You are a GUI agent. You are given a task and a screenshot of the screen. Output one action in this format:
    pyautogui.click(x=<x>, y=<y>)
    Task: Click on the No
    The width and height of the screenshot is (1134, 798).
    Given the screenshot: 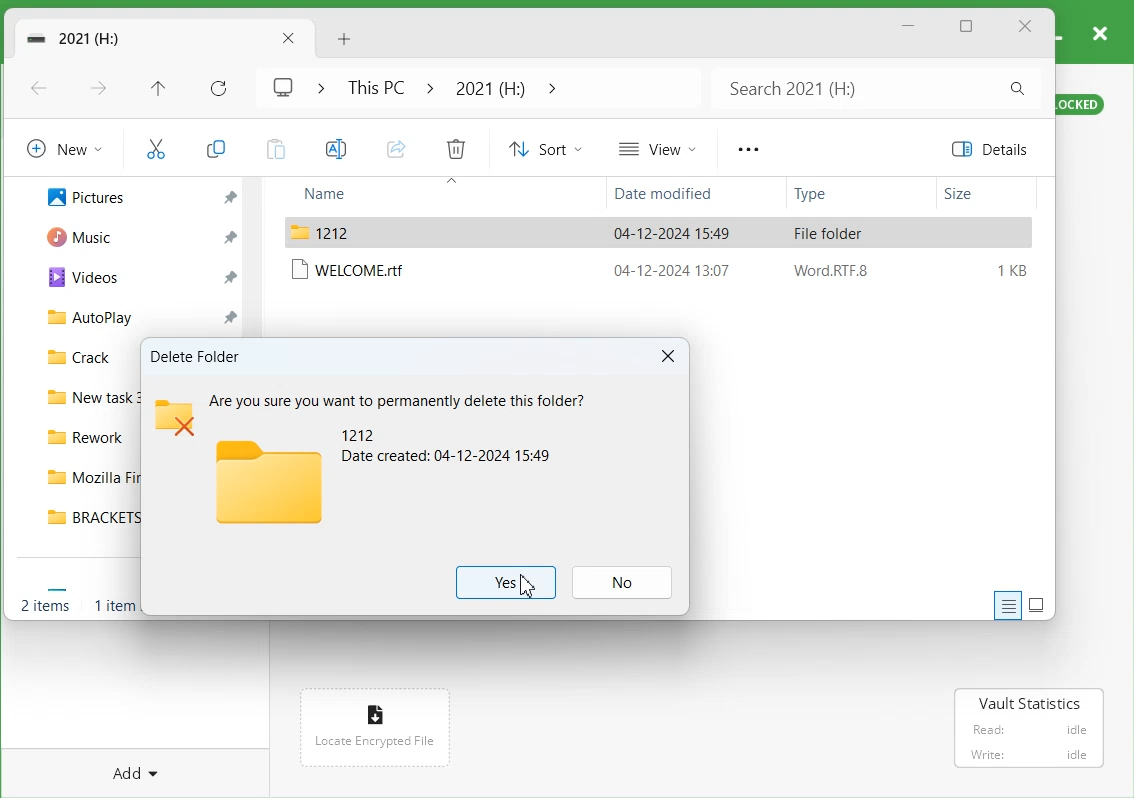 What is the action you would take?
    pyautogui.click(x=623, y=582)
    